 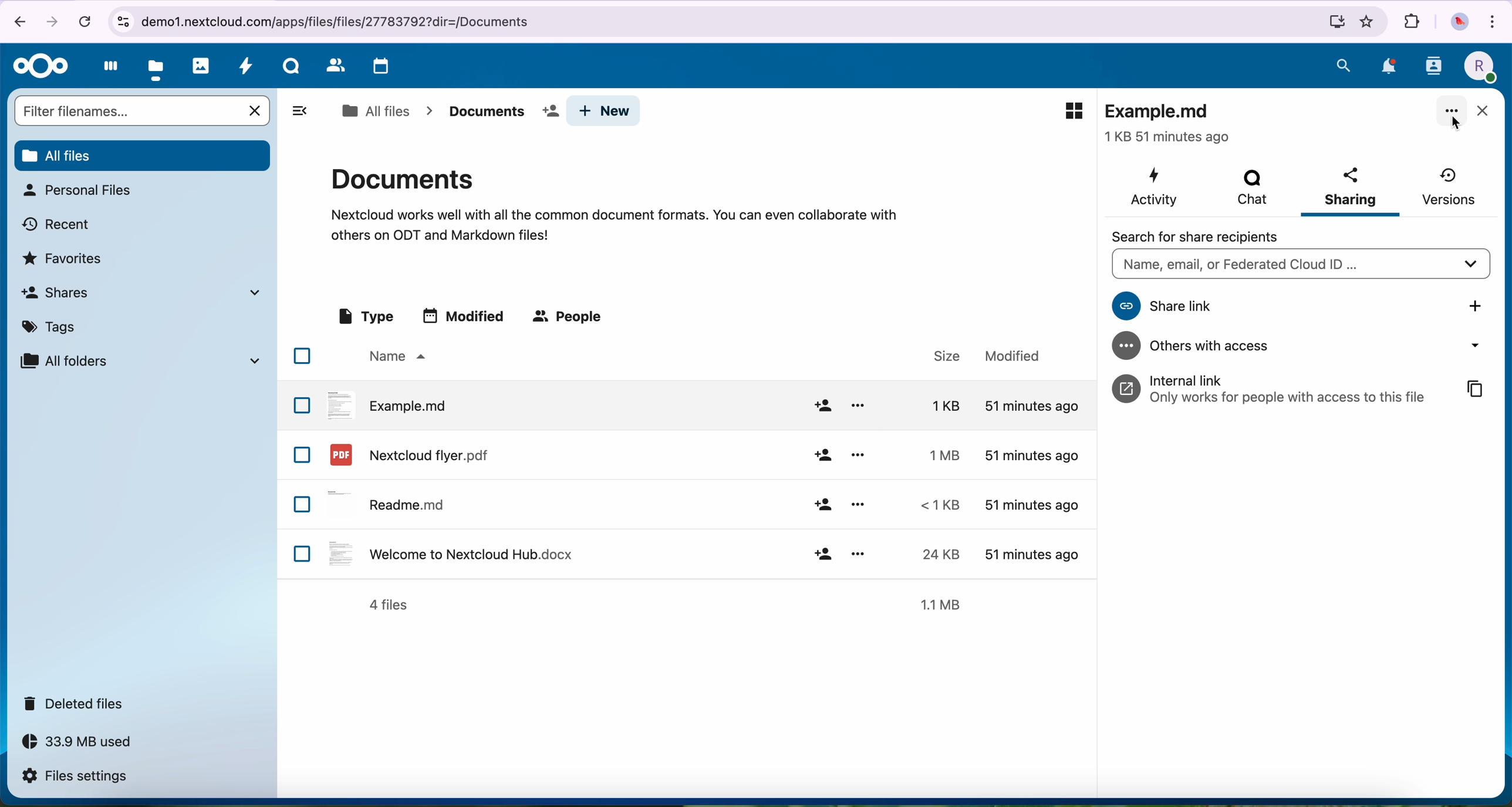 What do you see at coordinates (1300, 346) in the screenshot?
I see `others with acces` at bounding box center [1300, 346].